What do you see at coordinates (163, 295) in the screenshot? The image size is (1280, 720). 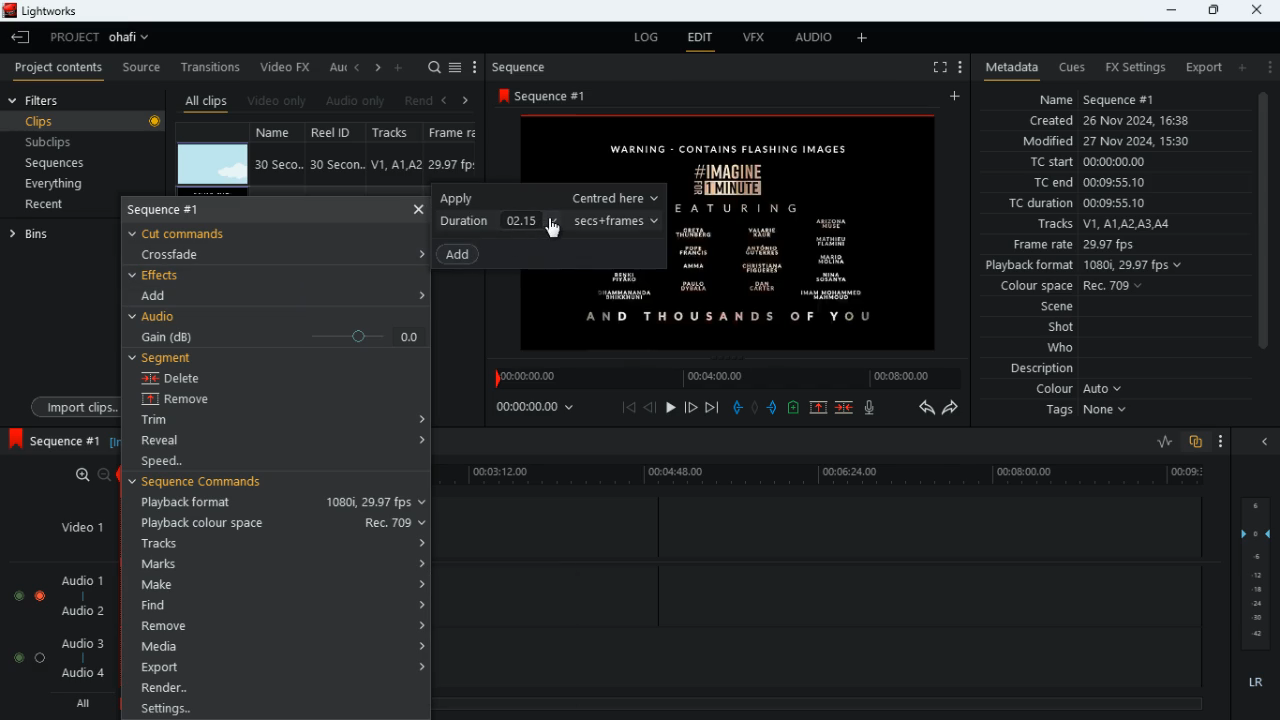 I see `add` at bounding box center [163, 295].